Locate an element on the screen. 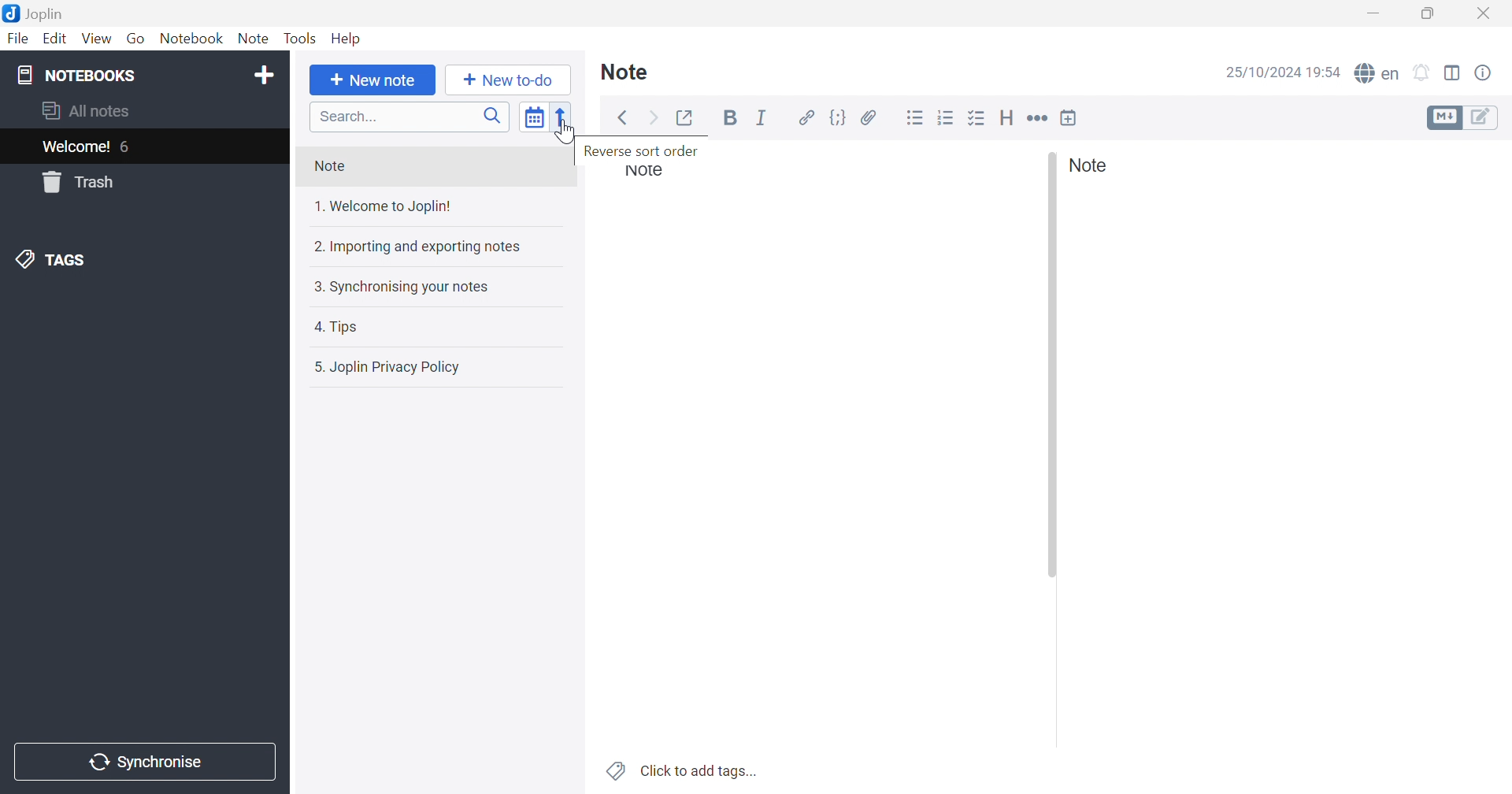  Heading is located at coordinates (1007, 117).